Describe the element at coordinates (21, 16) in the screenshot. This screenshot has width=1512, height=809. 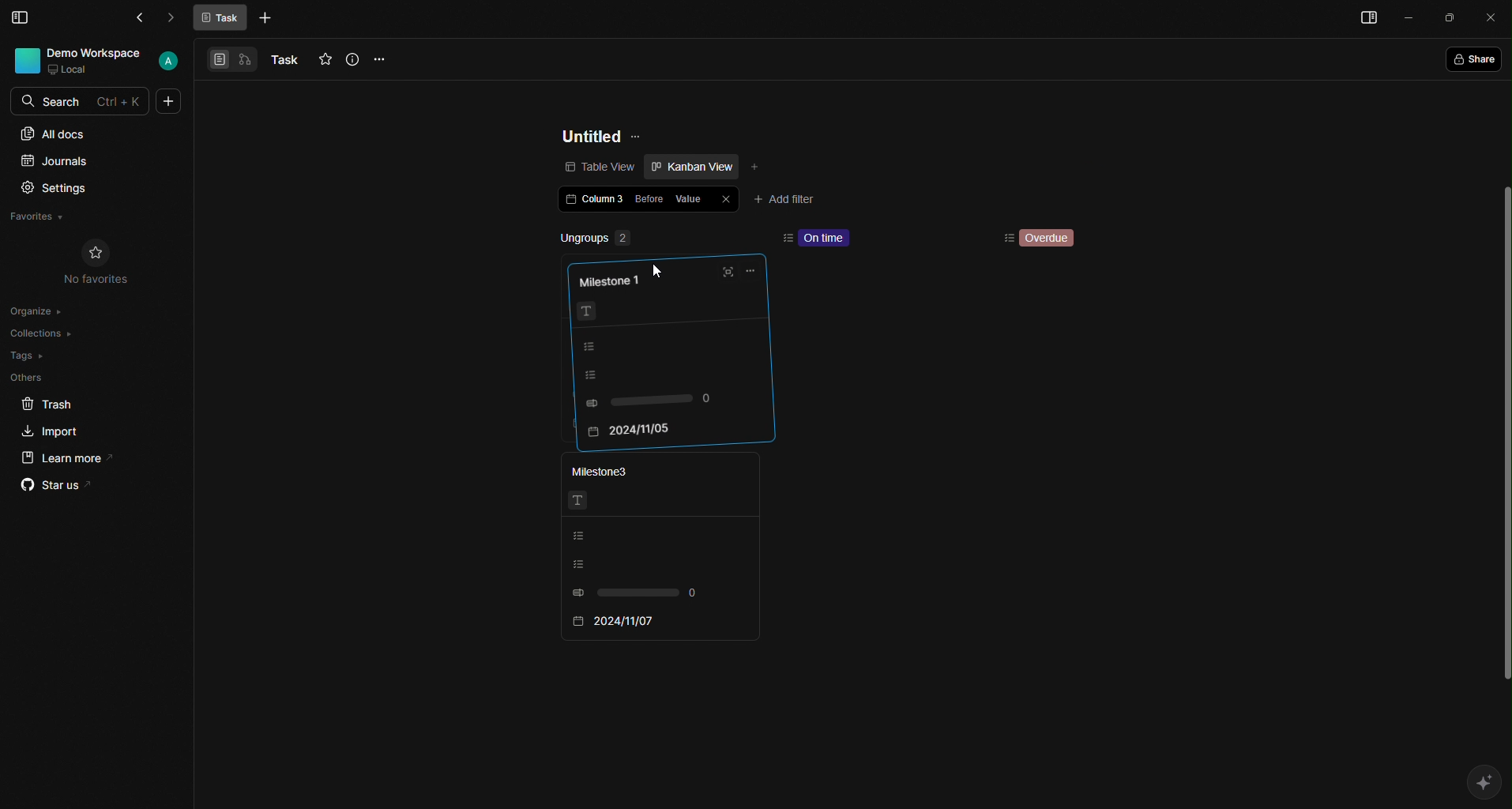
I see `Menu Bar` at that location.